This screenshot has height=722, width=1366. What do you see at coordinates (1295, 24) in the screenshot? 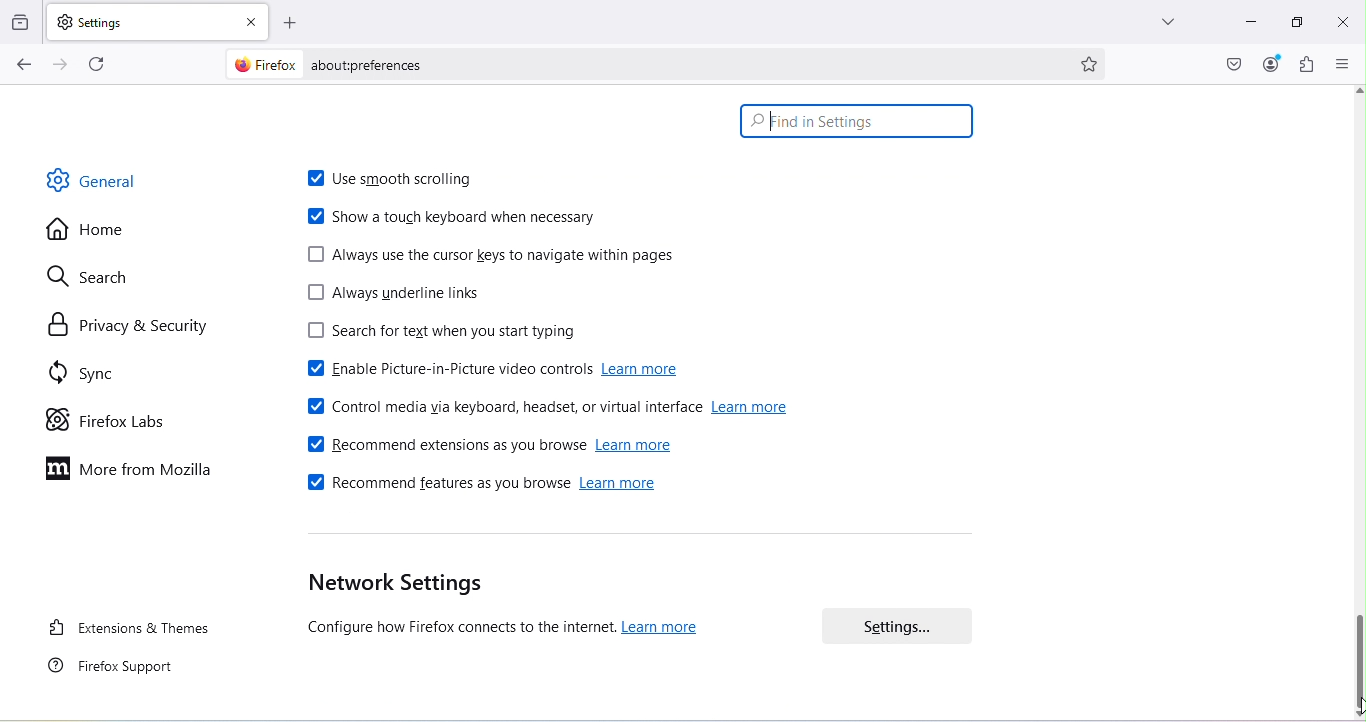
I see `Maximize` at bounding box center [1295, 24].